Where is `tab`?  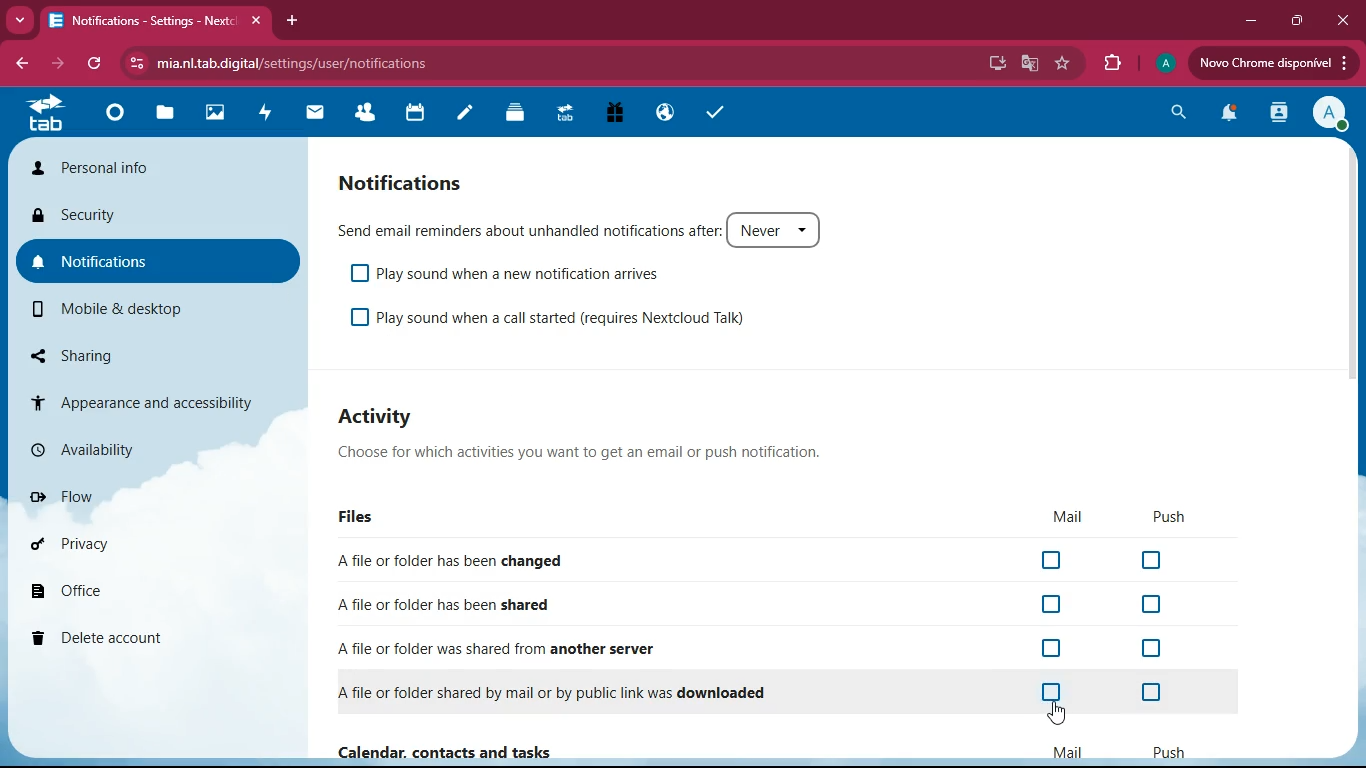 tab is located at coordinates (563, 116).